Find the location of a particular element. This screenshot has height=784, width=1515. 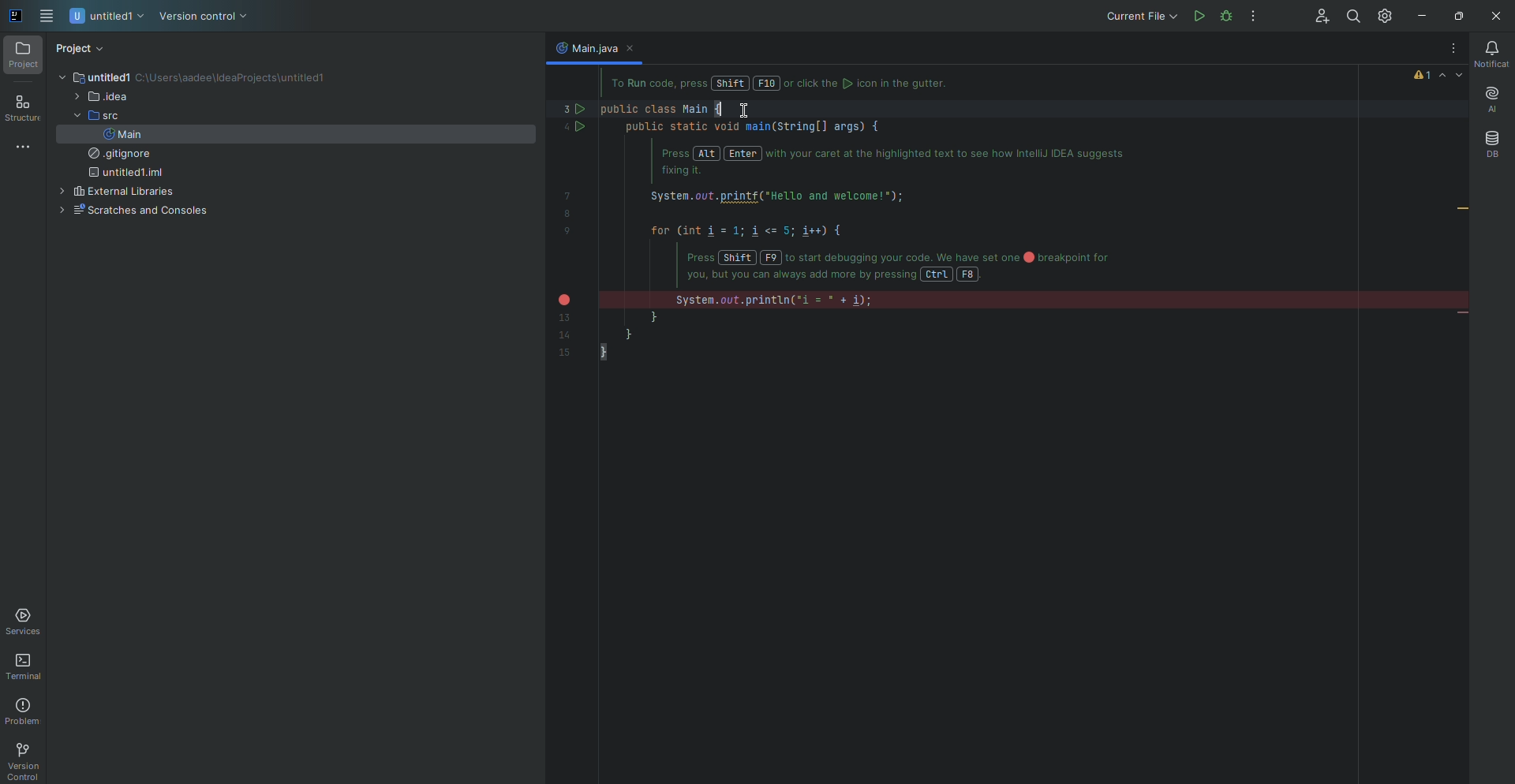

Settings is located at coordinates (1387, 15).